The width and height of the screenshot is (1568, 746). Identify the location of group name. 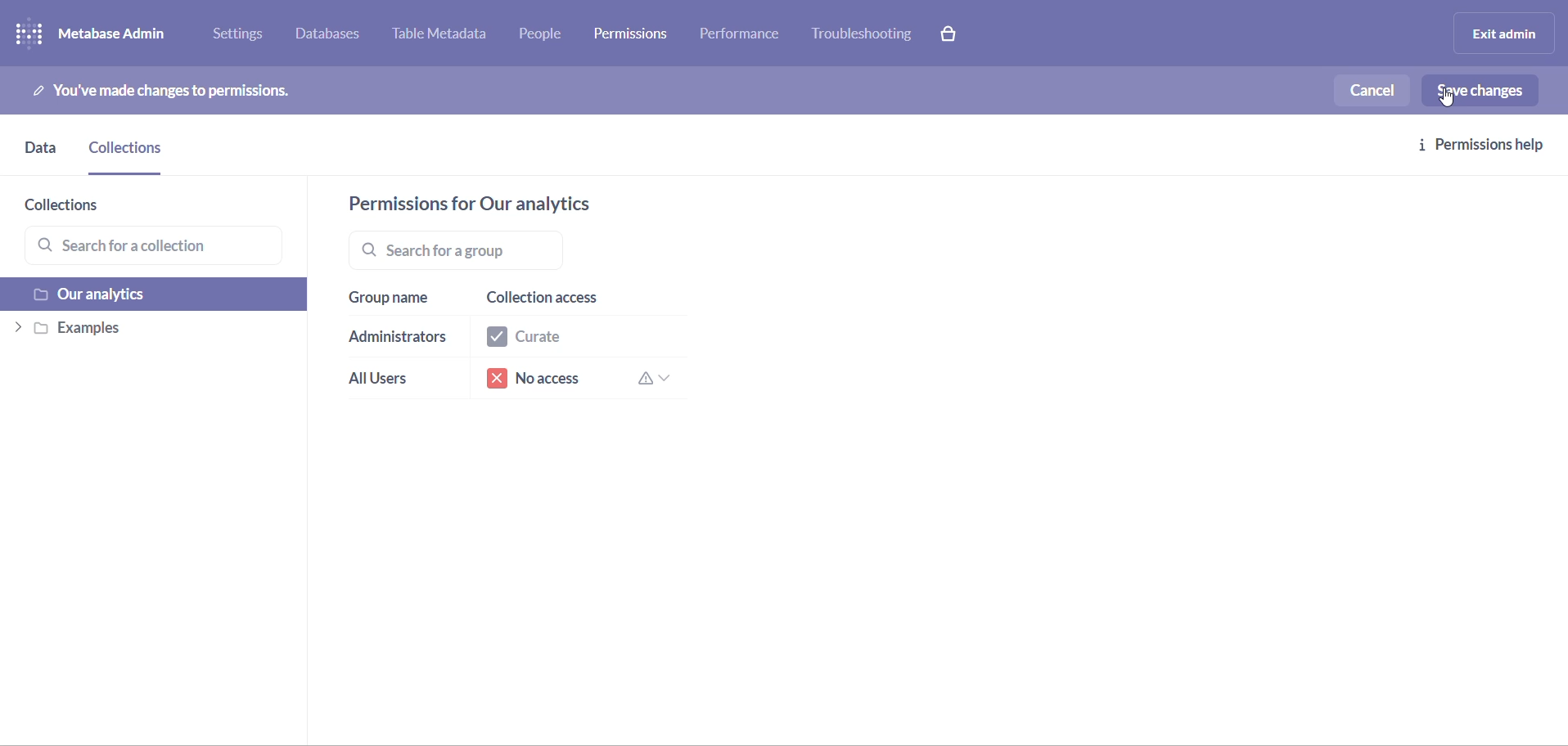
(390, 305).